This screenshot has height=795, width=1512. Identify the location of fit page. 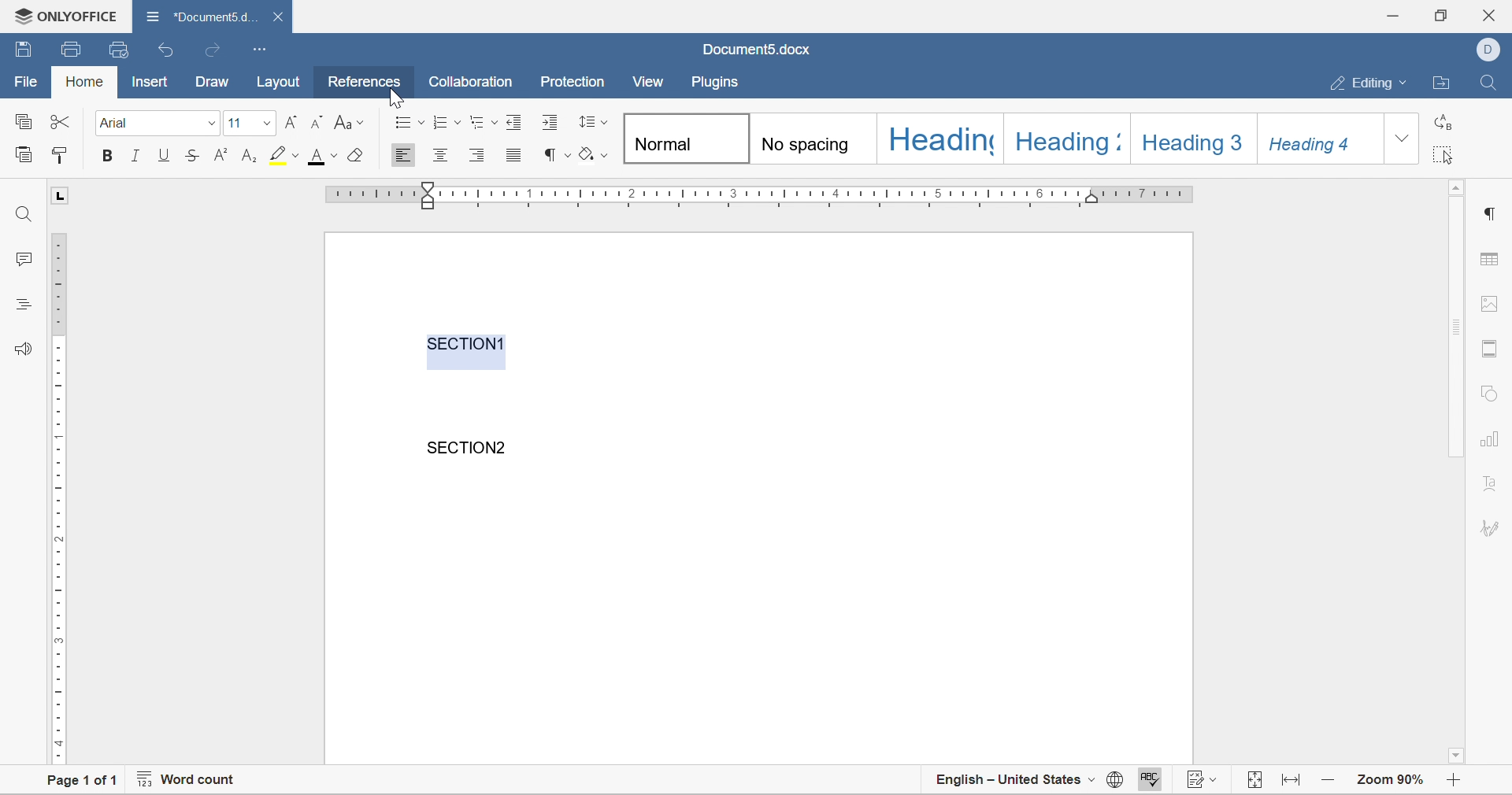
(1256, 781).